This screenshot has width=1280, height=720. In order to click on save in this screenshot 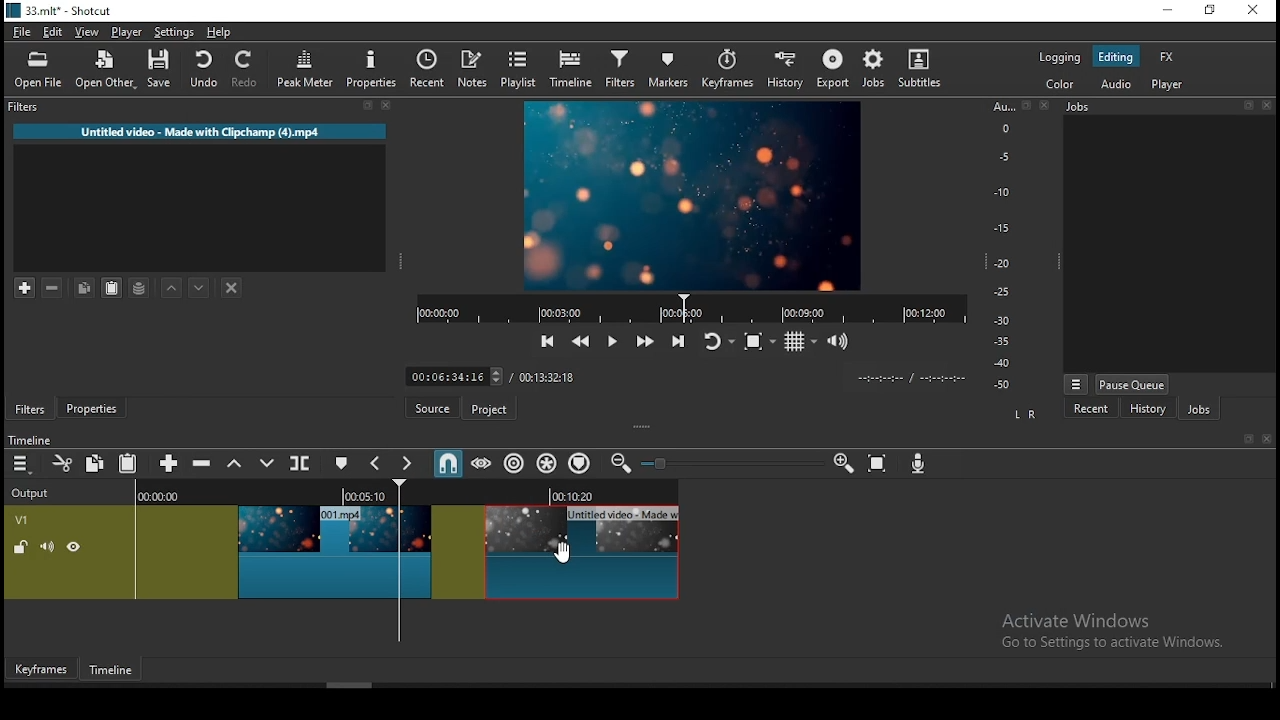, I will do `click(163, 72)`.